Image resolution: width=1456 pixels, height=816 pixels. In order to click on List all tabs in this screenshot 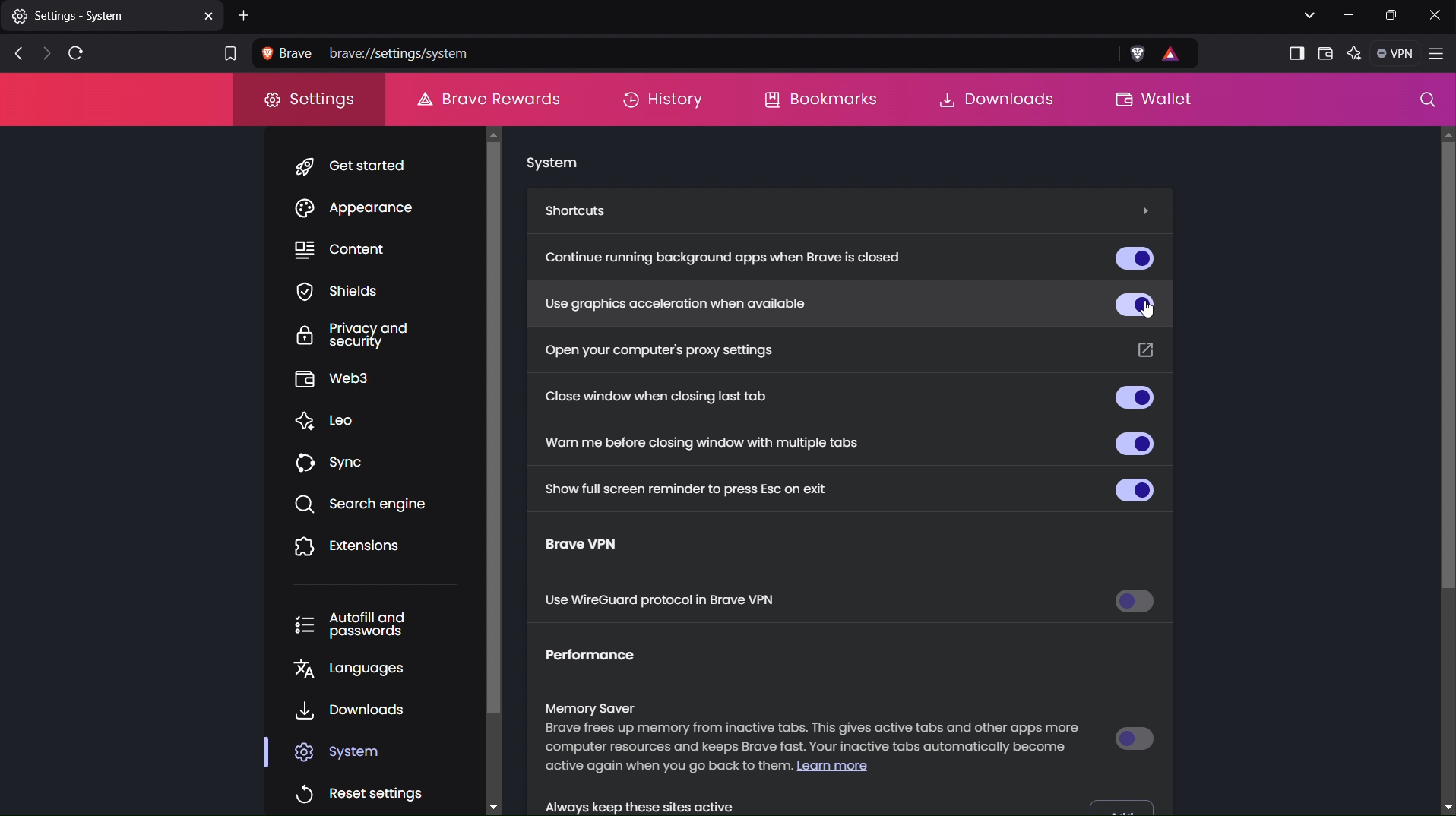, I will do `click(1305, 14)`.